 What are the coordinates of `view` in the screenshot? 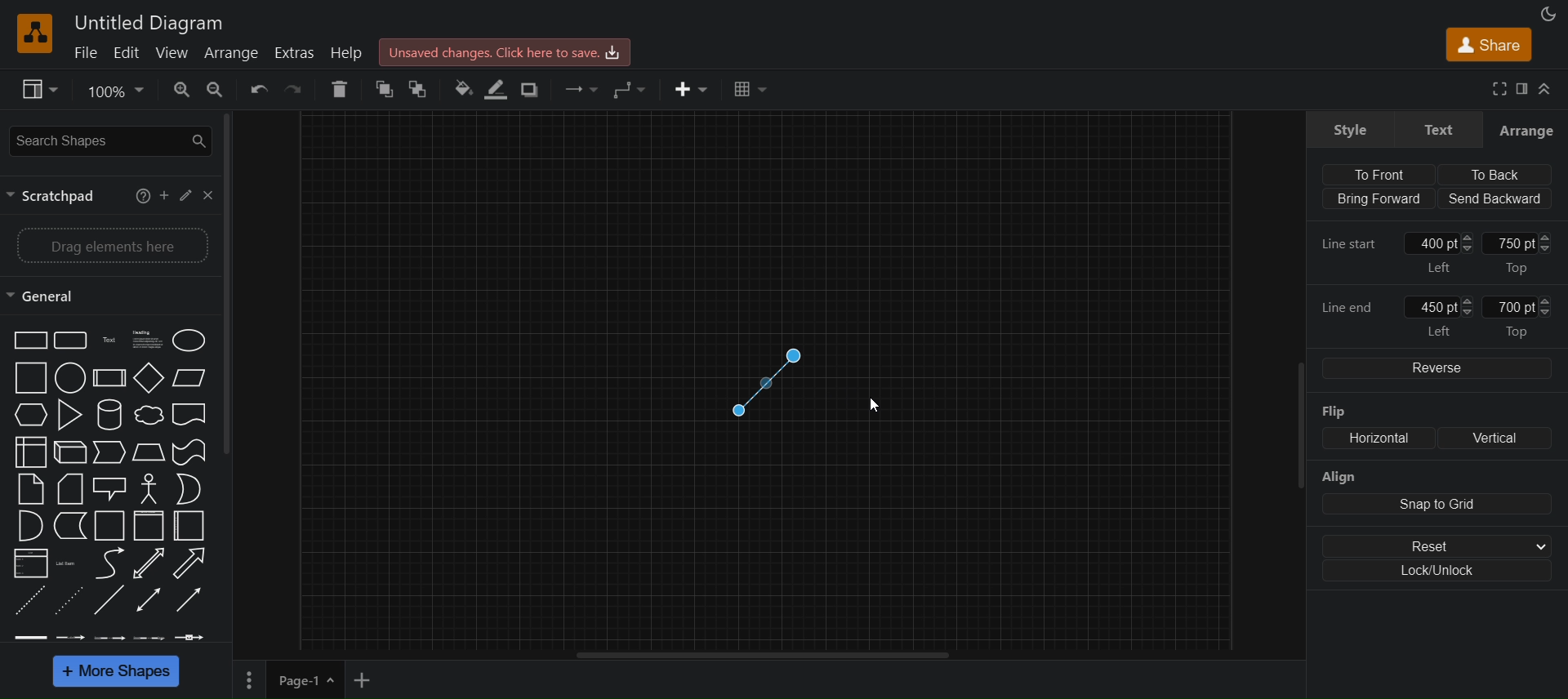 It's located at (38, 90).